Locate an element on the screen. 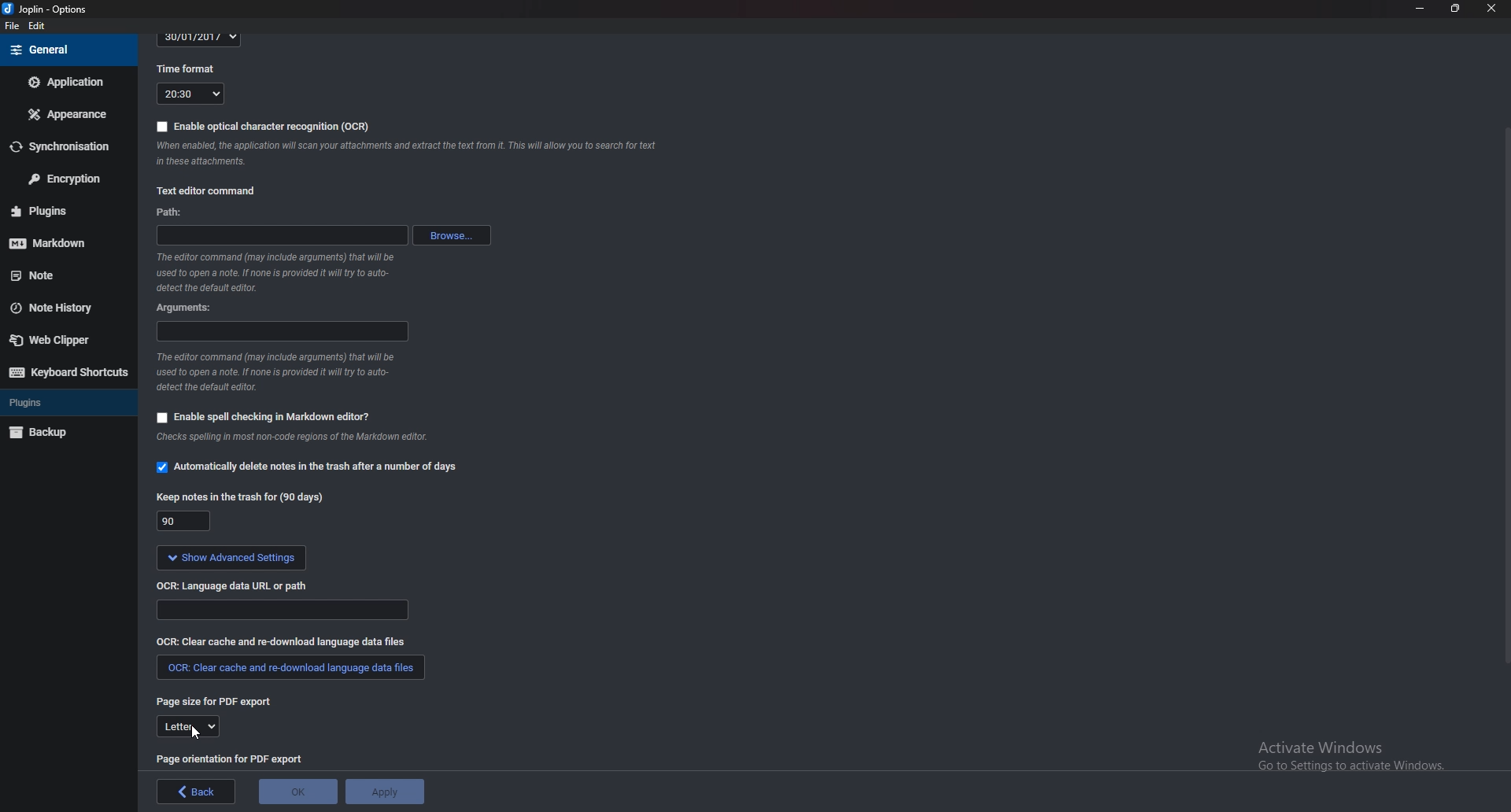 Image resolution: width=1511 pixels, height=812 pixels. ok is located at coordinates (300, 792).